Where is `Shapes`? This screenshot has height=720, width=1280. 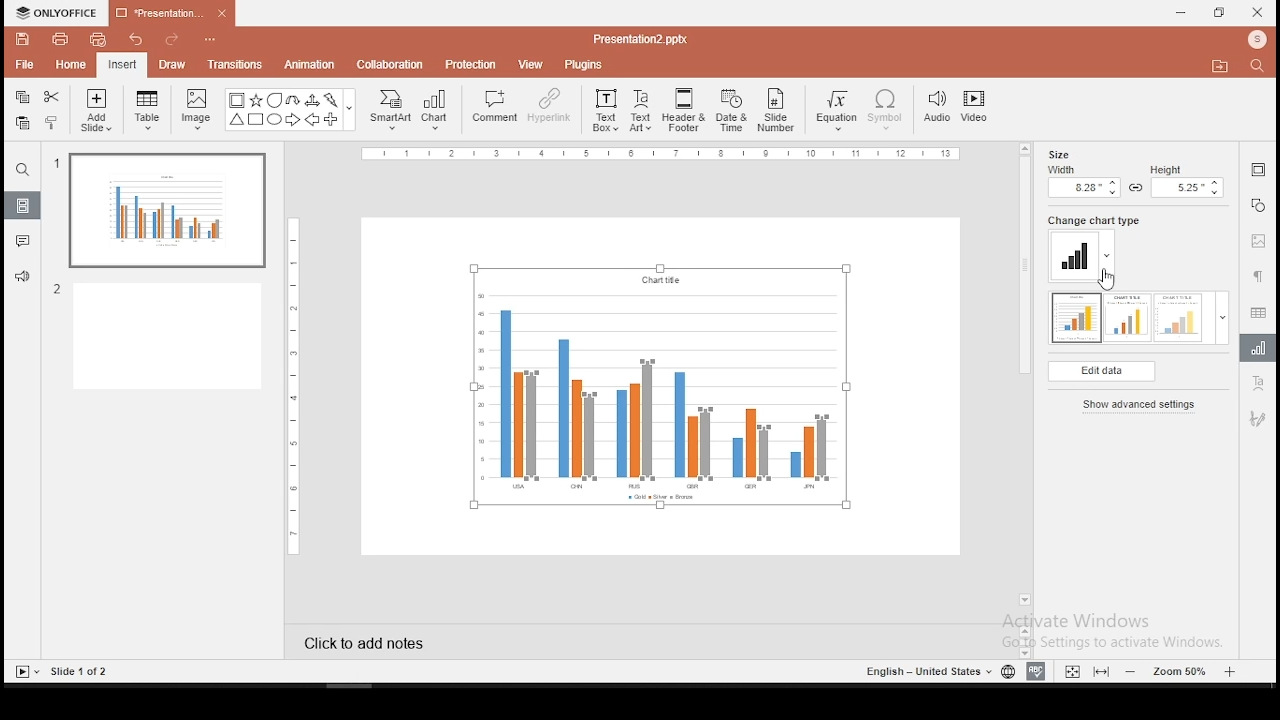
Shapes is located at coordinates (287, 112).